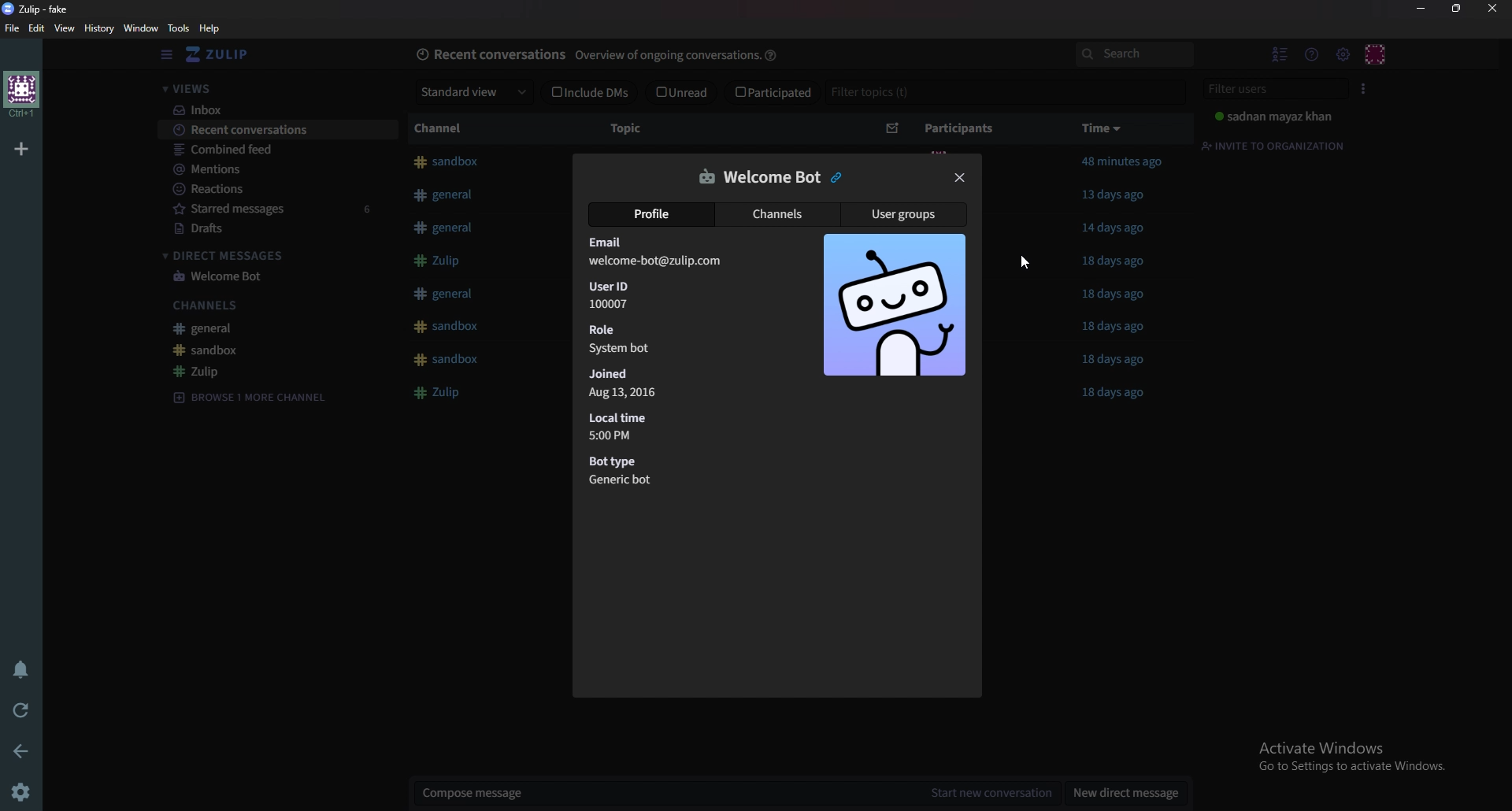  What do you see at coordinates (633, 129) in the screenshot?
I see `topic` at bounding box center [633, 129].